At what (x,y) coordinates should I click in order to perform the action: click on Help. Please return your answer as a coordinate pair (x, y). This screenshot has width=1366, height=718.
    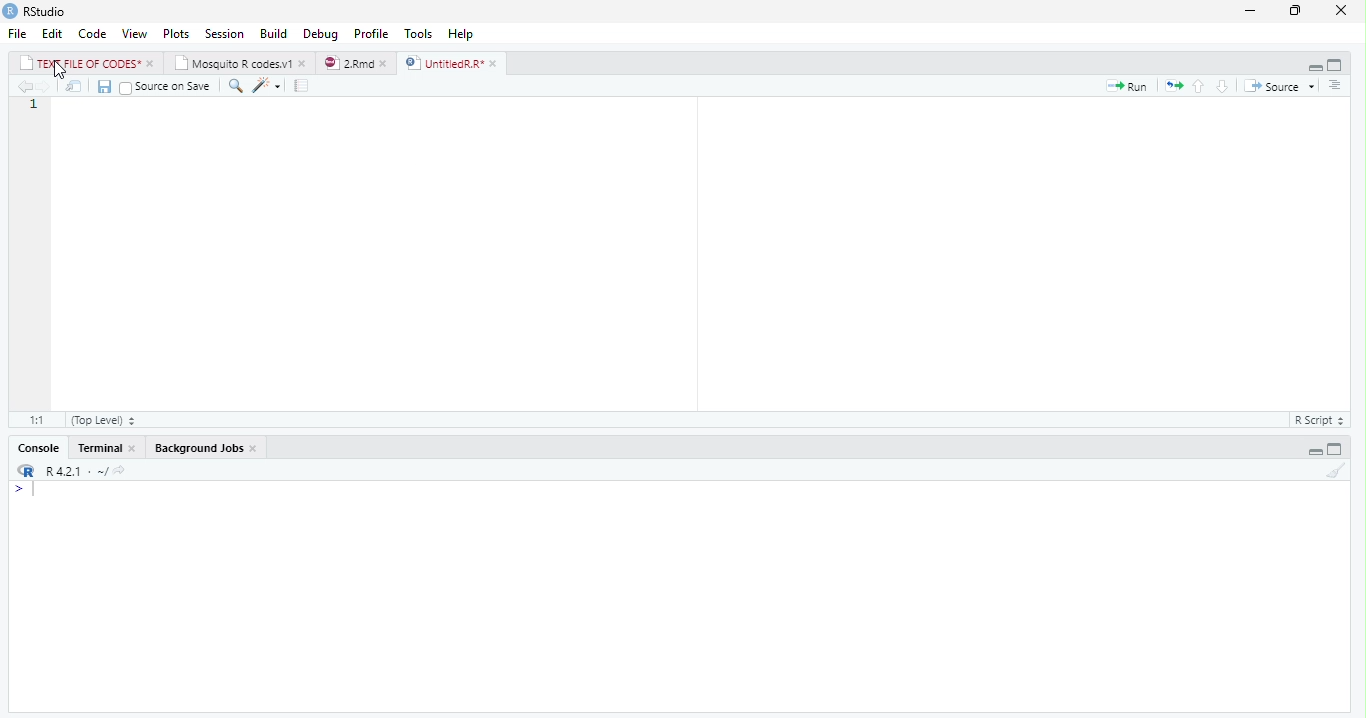
    Looking at the image, I should click on (465, 34).